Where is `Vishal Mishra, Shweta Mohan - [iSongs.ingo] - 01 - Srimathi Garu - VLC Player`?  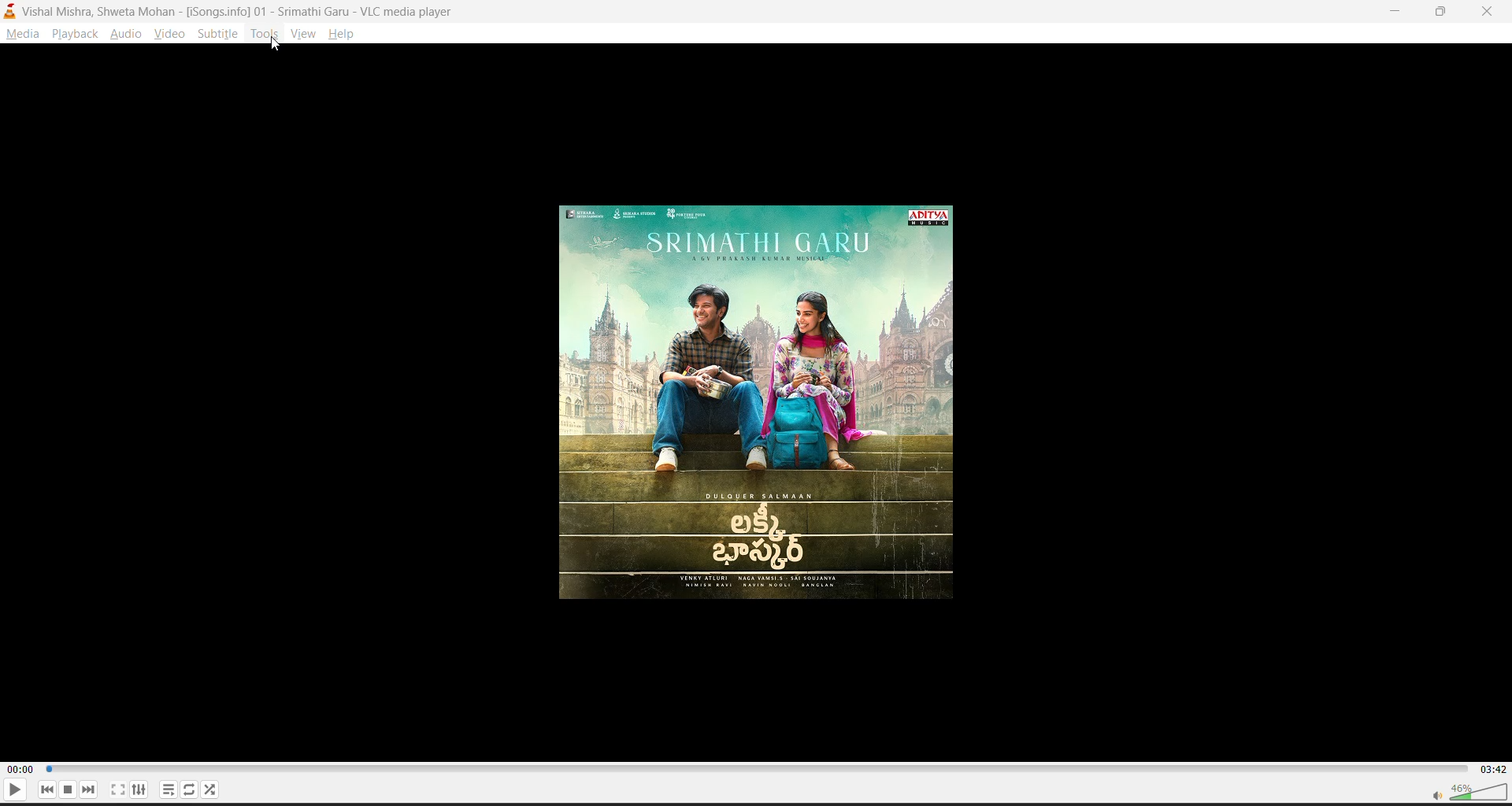
Vishal Mishra, Shweta Mohan - [iSongs.ingo] - 01 - Srimathi Garu - VLC Player is located at coordinates (241, 11).